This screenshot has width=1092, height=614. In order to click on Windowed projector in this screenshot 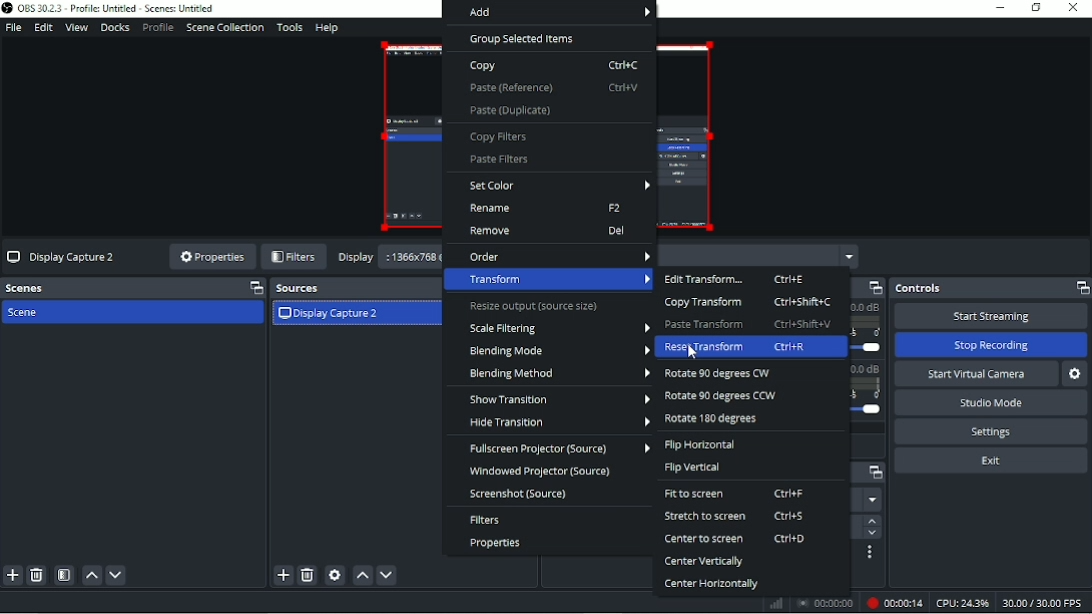, I will do `click(546, 471)`.